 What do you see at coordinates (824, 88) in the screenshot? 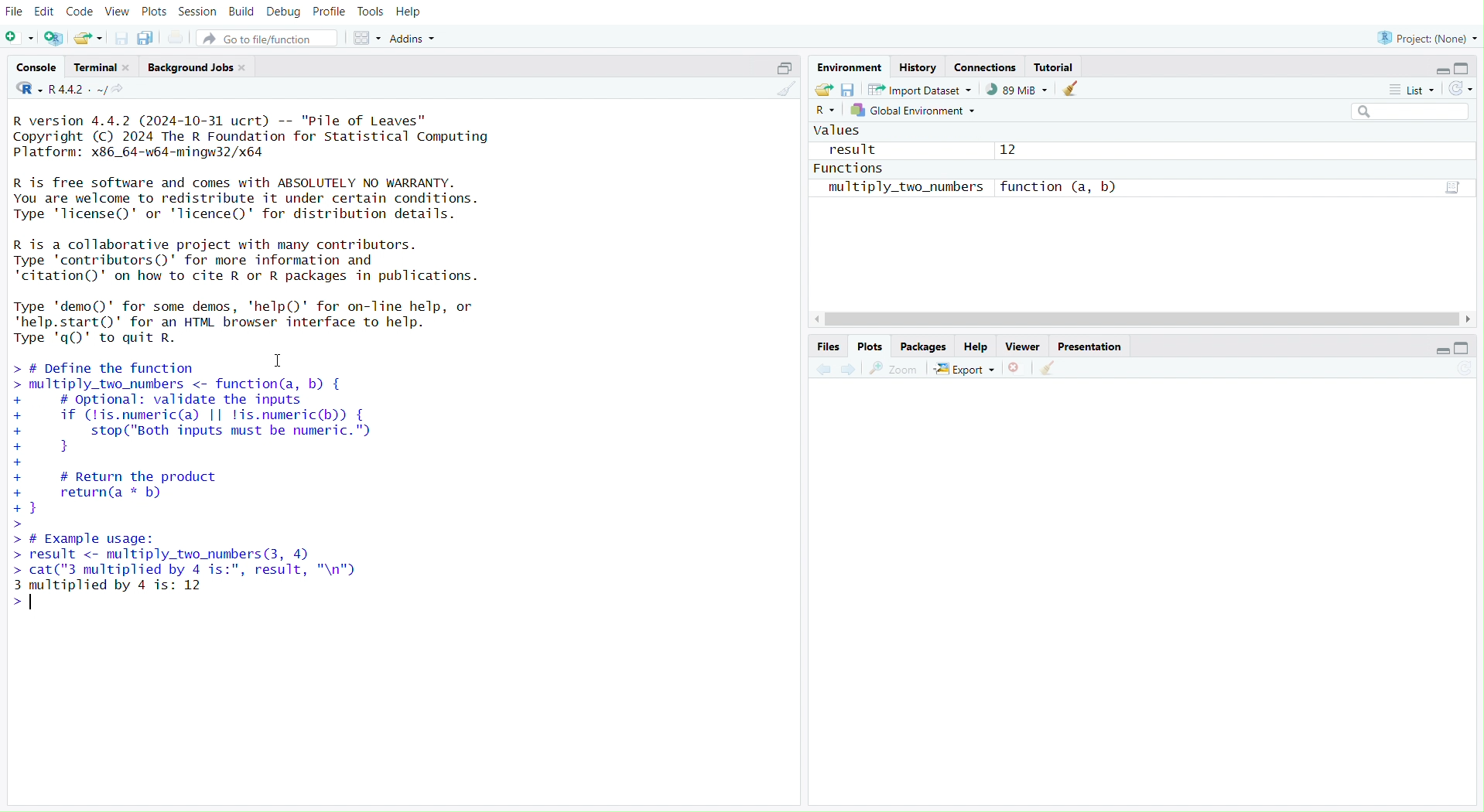
I see `Load workspace` at bounding box center [824, 88].